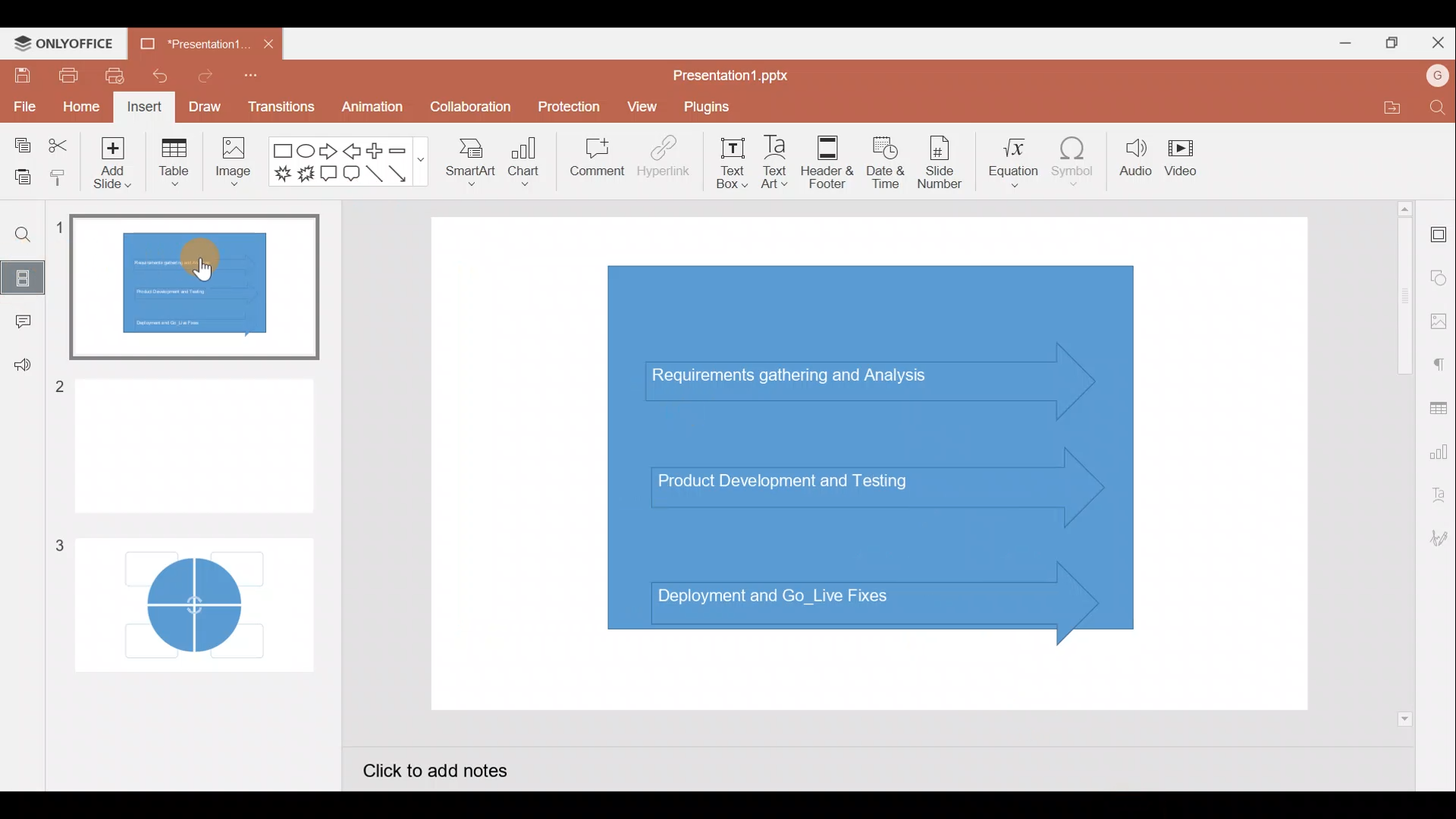 The height and width of the screenshot is (819, 1456). What do you see at coordinates (1441, 365) in the screenshot?
I see `Paragraph settings` at bounding box center [1441, 365].